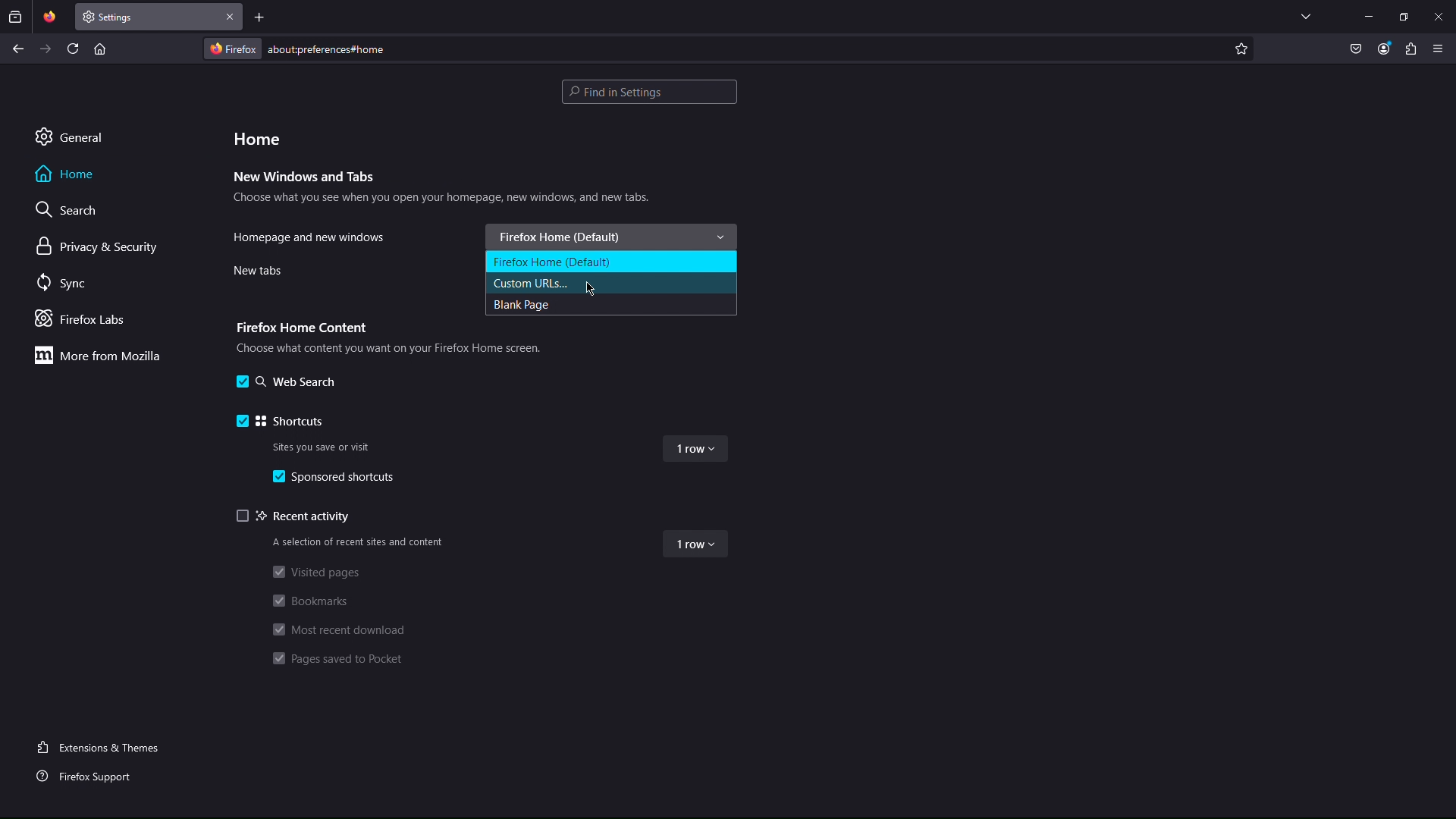 This screenshot has width=1456, height=819. I want to click on Firefox Labs, so click(86, 320).